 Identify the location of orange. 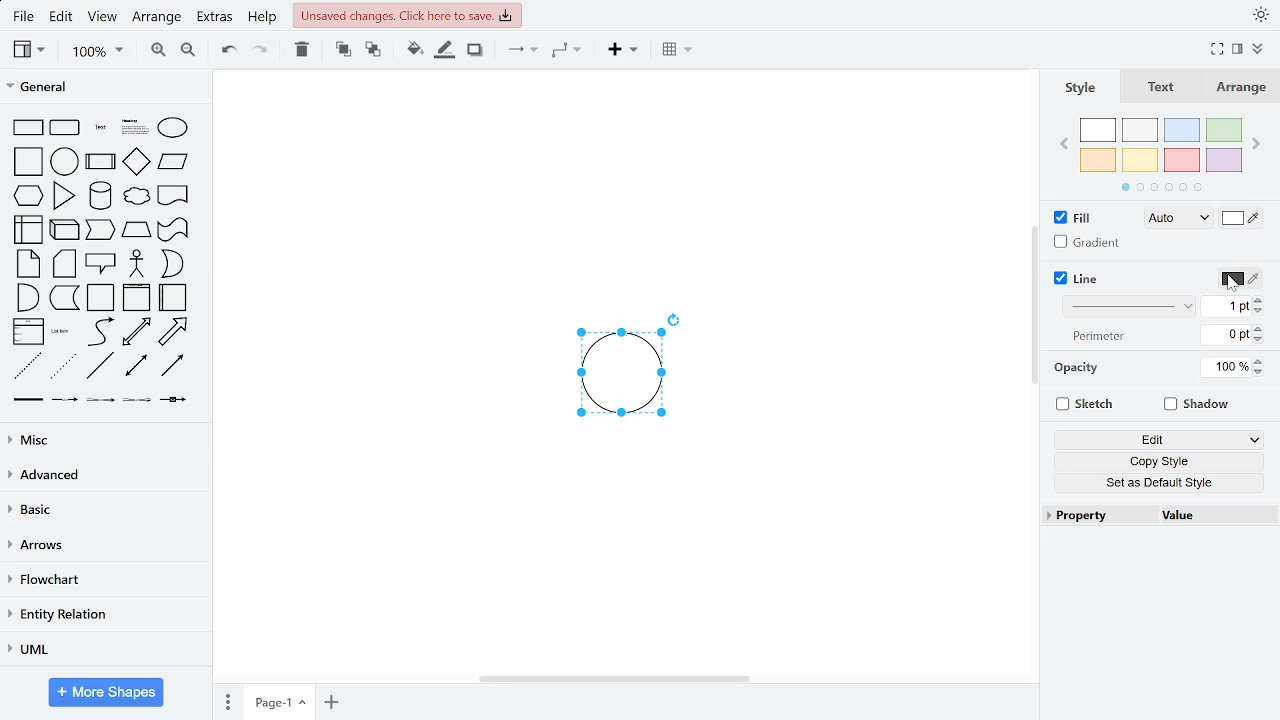
(1098, 159).